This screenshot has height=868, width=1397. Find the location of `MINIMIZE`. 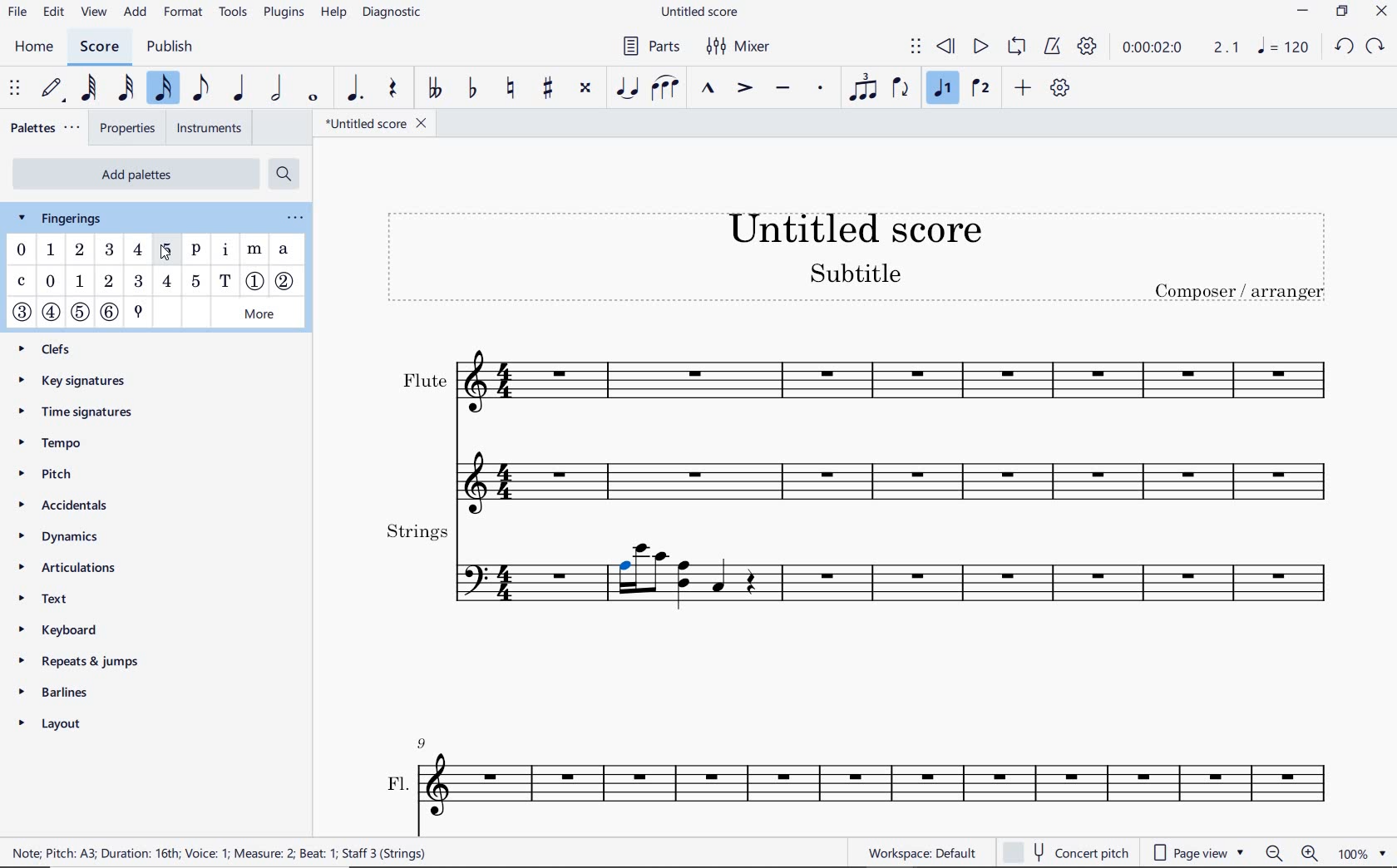

MINIMIZE is located at coordinates (1301, 12).